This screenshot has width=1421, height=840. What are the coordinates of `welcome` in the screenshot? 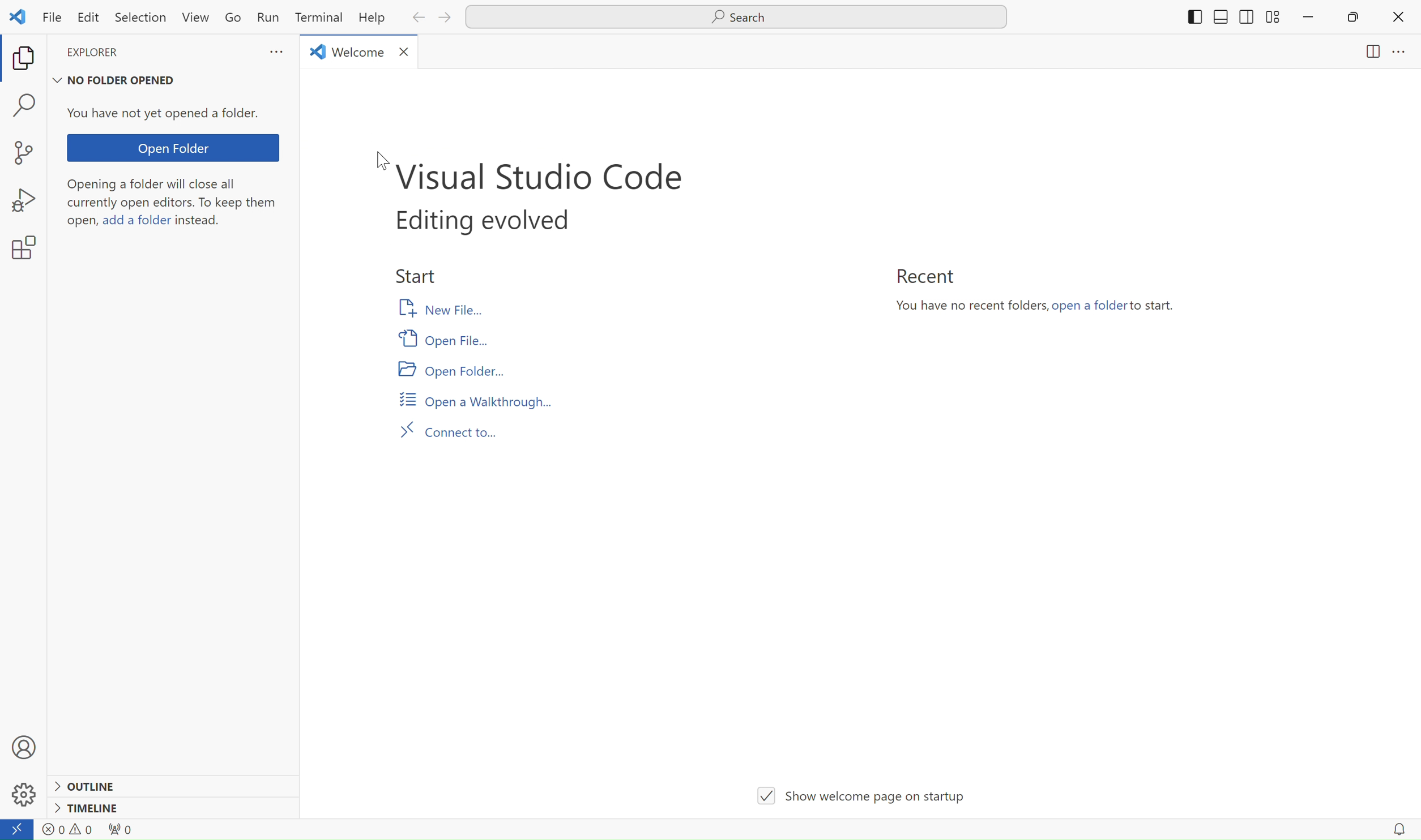 It's located at (348, 53).